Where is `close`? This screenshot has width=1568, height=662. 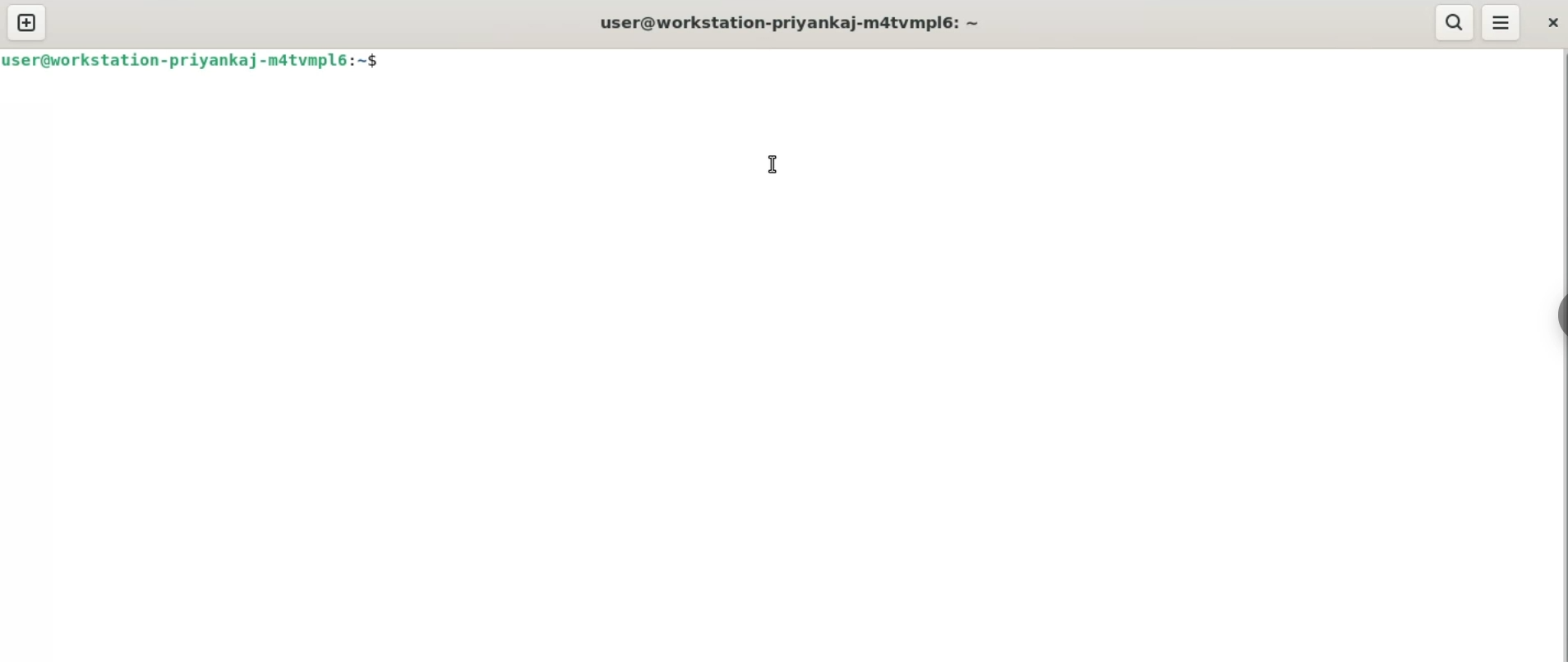 close is located at coordinates (1549, 25).